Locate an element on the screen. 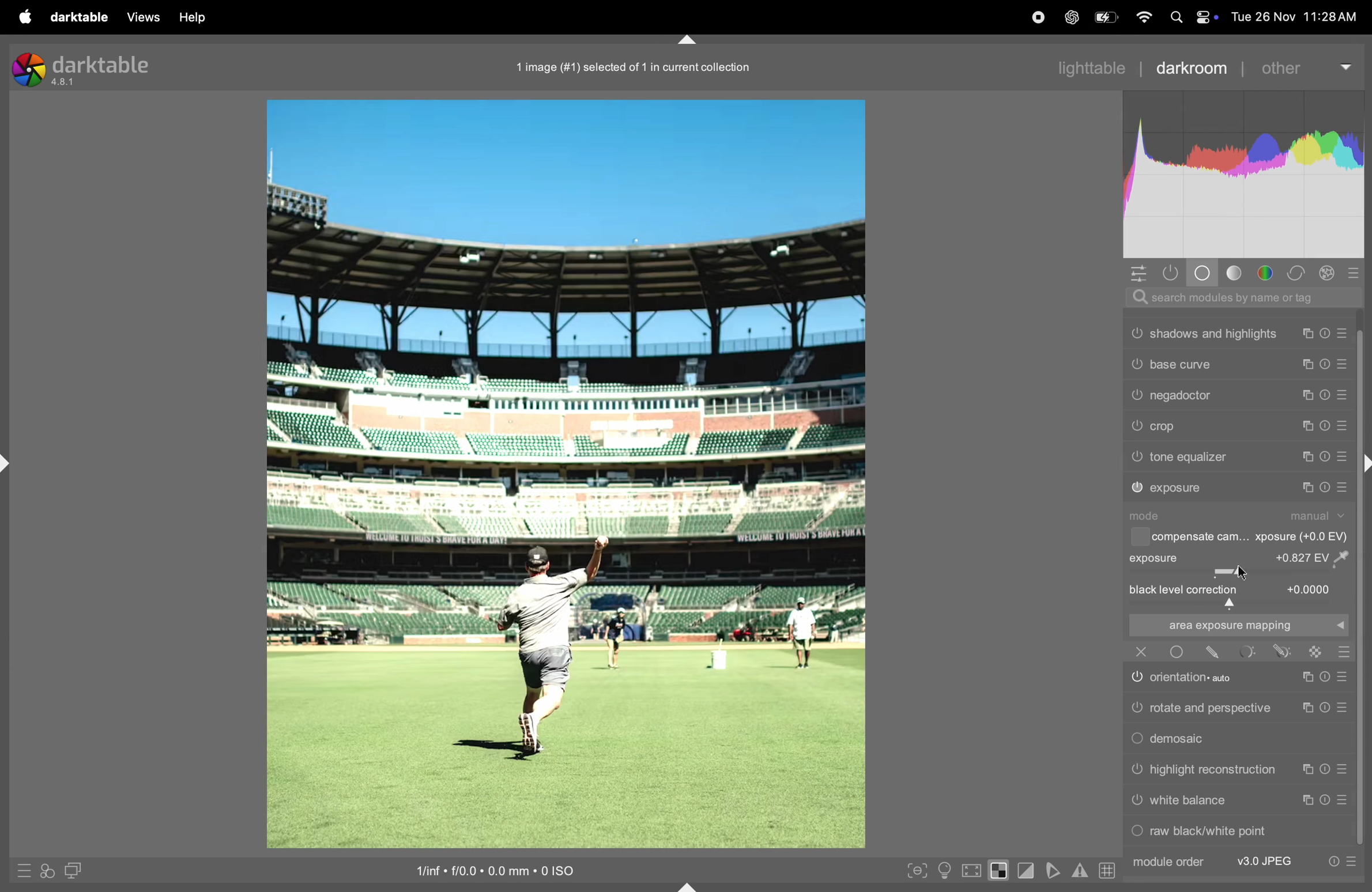 This screenshot has width=1372, height=892. Presets  is located at coordinates (1342, 366).